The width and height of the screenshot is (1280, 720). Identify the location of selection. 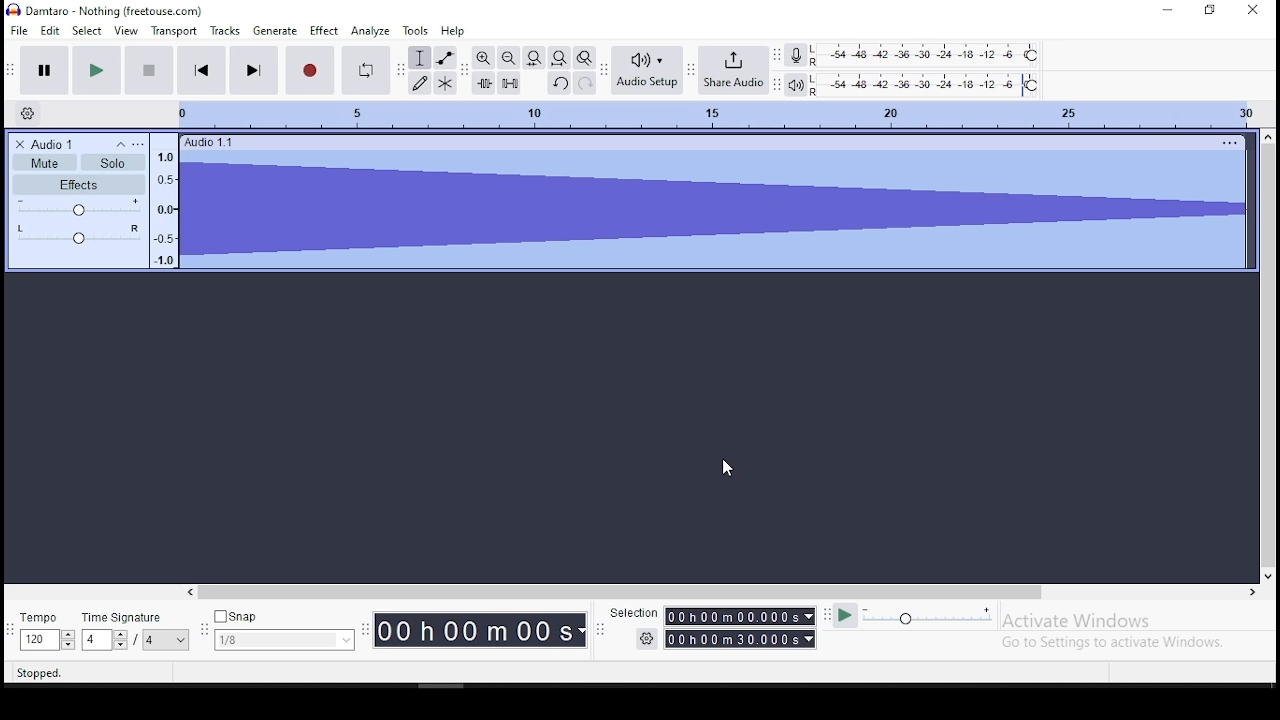
(635, 614).